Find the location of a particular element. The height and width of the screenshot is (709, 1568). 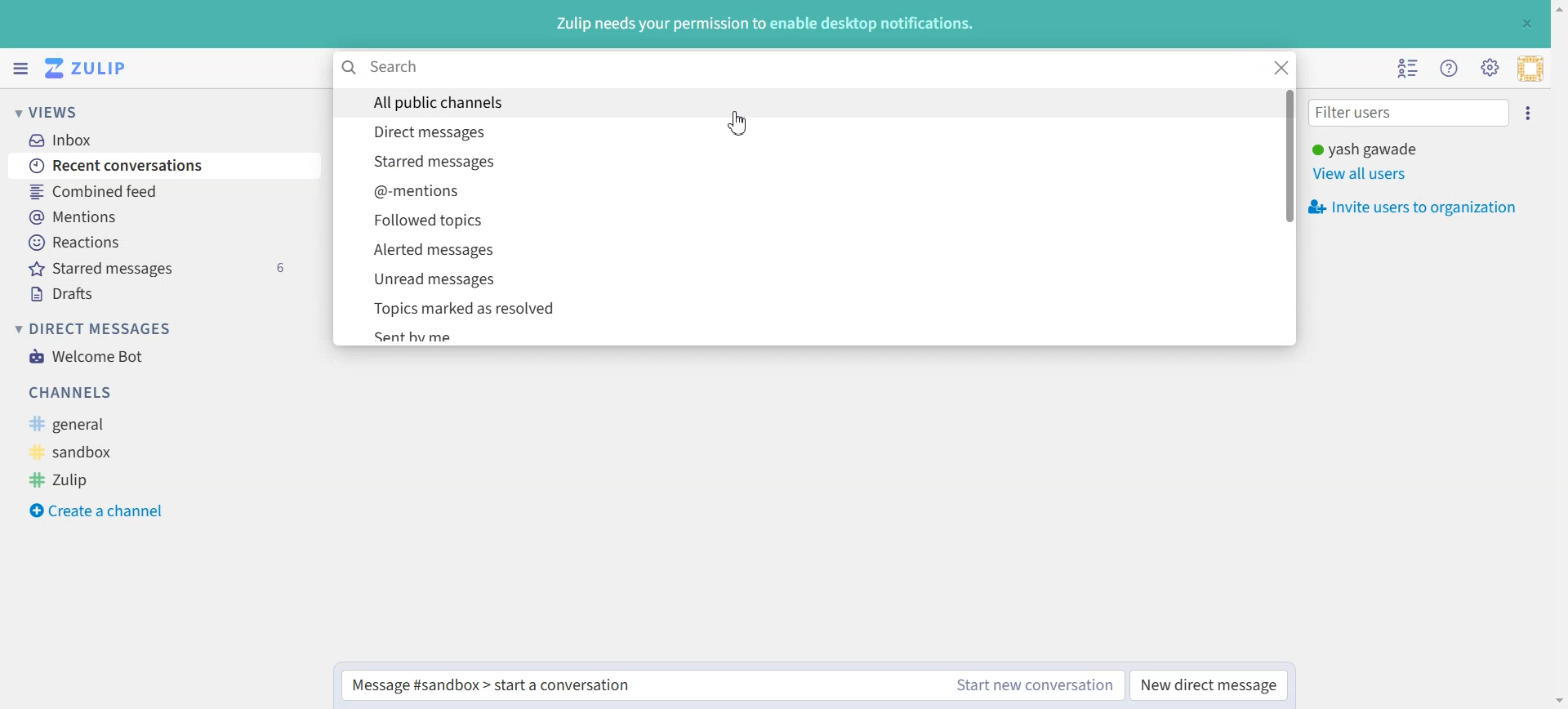

Altered messages is located at coordinates (802, 249).